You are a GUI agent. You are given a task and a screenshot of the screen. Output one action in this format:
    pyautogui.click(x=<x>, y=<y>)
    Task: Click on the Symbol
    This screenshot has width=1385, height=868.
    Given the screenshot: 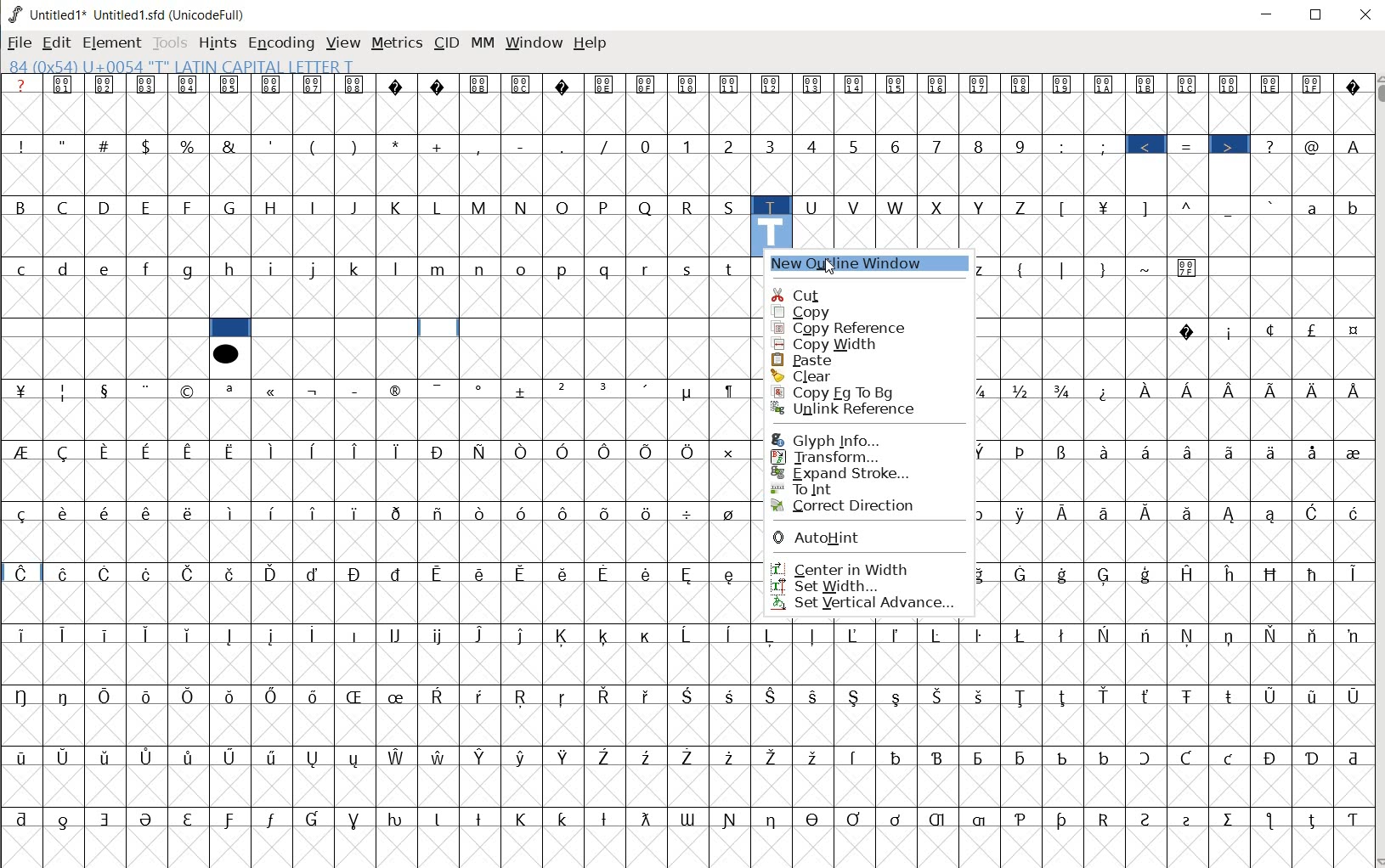 What is the action you would take?
    pyautogui.click(x=1105, y=450)
    